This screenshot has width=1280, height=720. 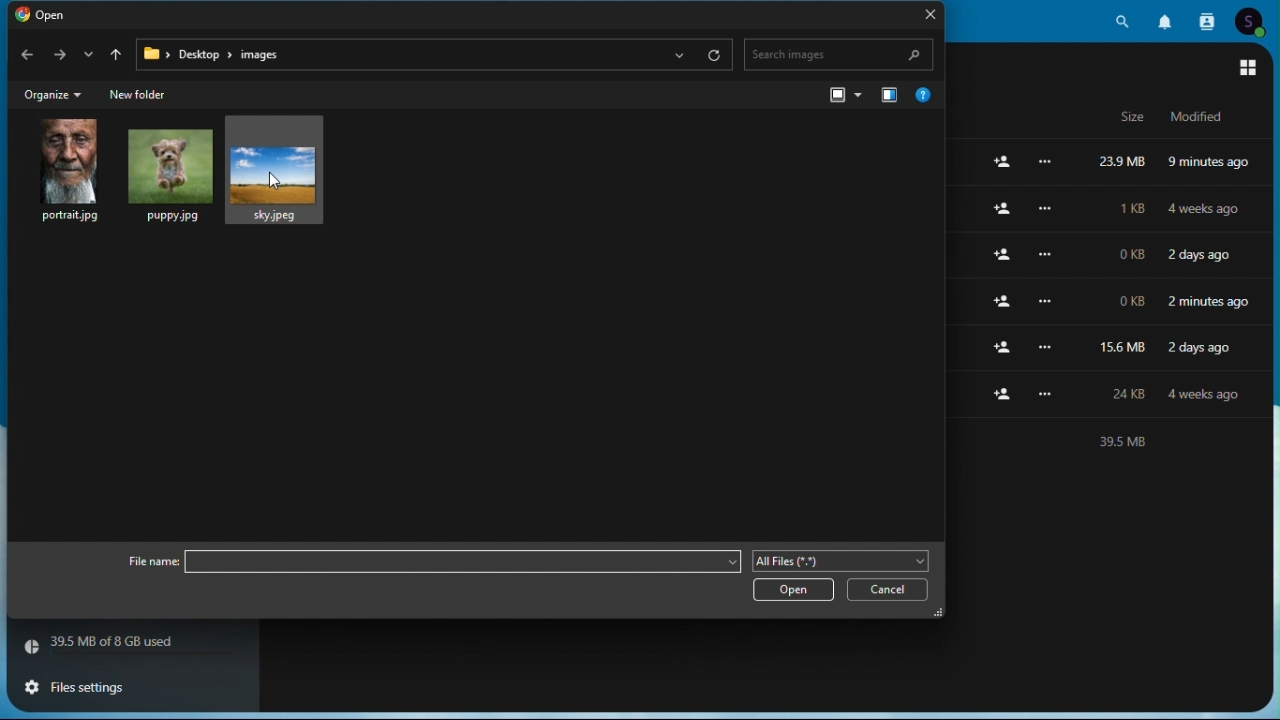 What do you see at coordinates (41, 16) in the screenshot?
I see `Open` at bounding box center [41, 16].